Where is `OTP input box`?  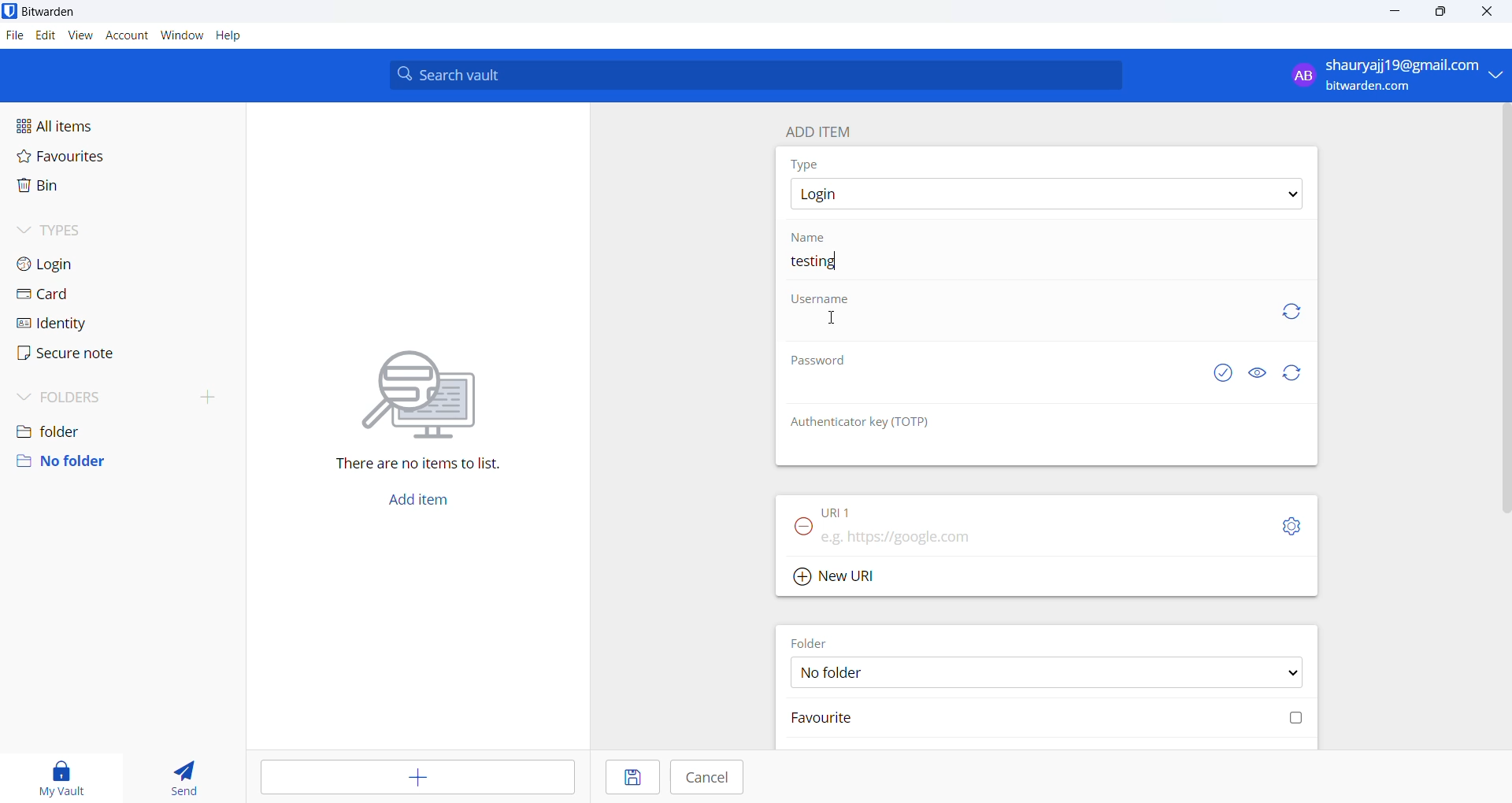
OTP input box is located at coordinates (1026, 451).